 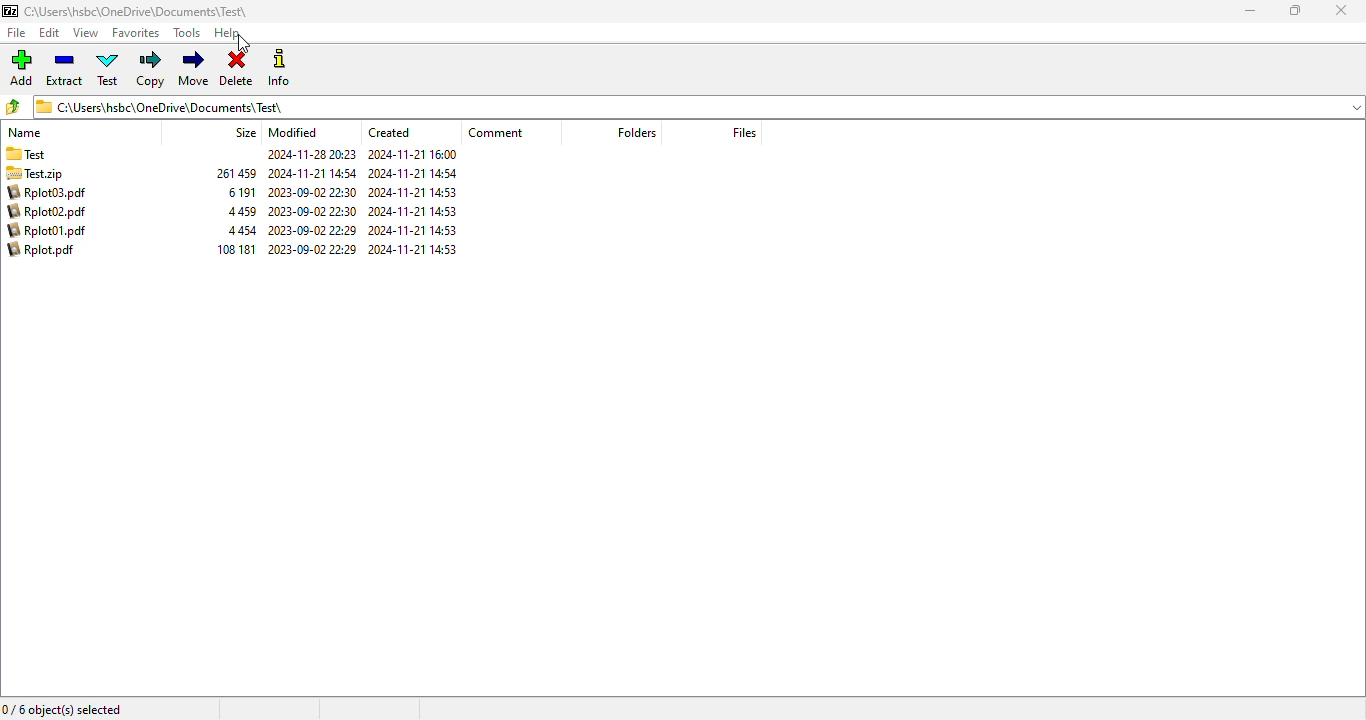 I want to click on add, so click(x=22, y=67).